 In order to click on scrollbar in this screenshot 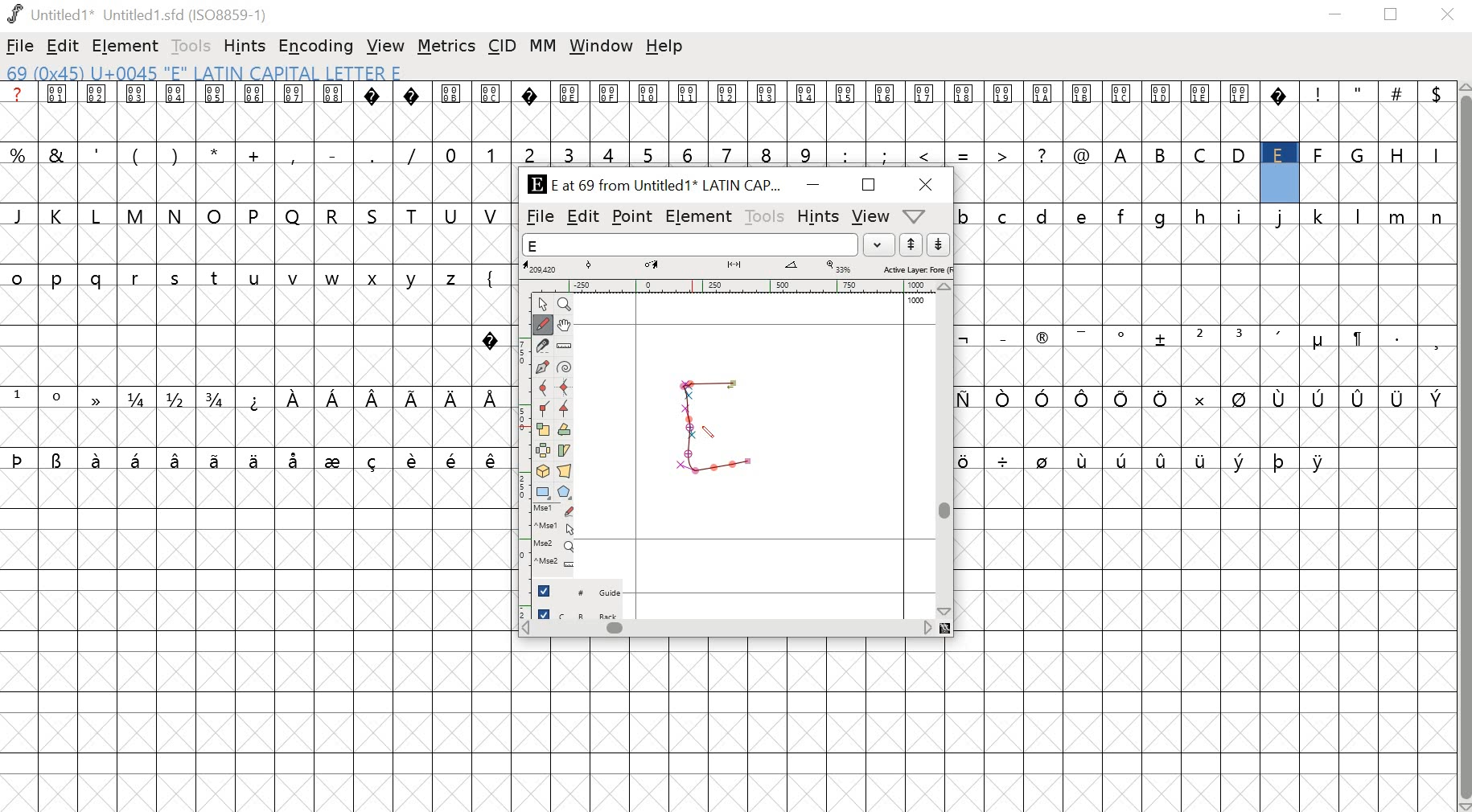, I will do `click(948, 450)`.